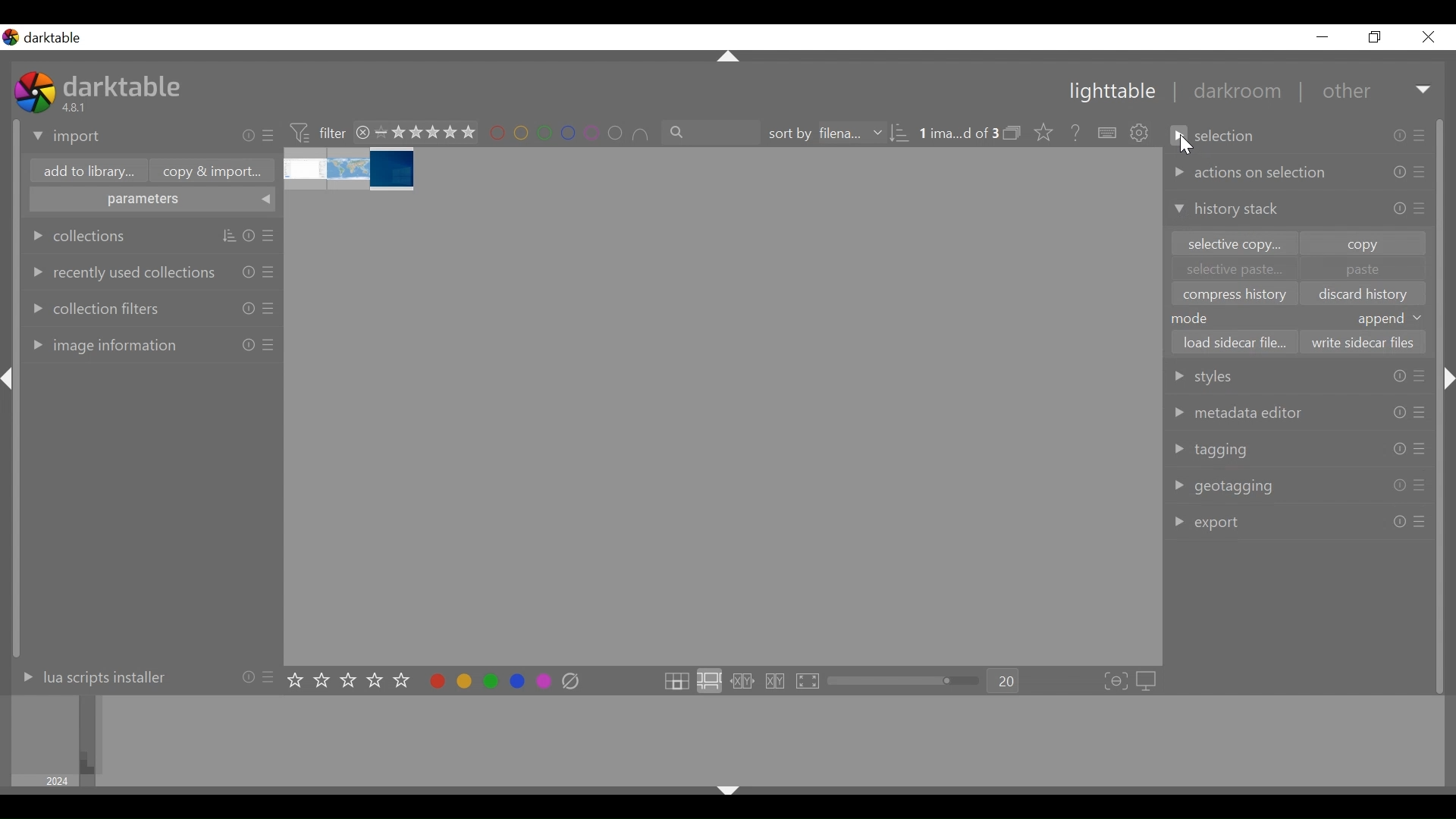  What do you see at coordinates (1249, 173) in the screenshot?
I see `actions on selection` at bounding box center [1249, 173].